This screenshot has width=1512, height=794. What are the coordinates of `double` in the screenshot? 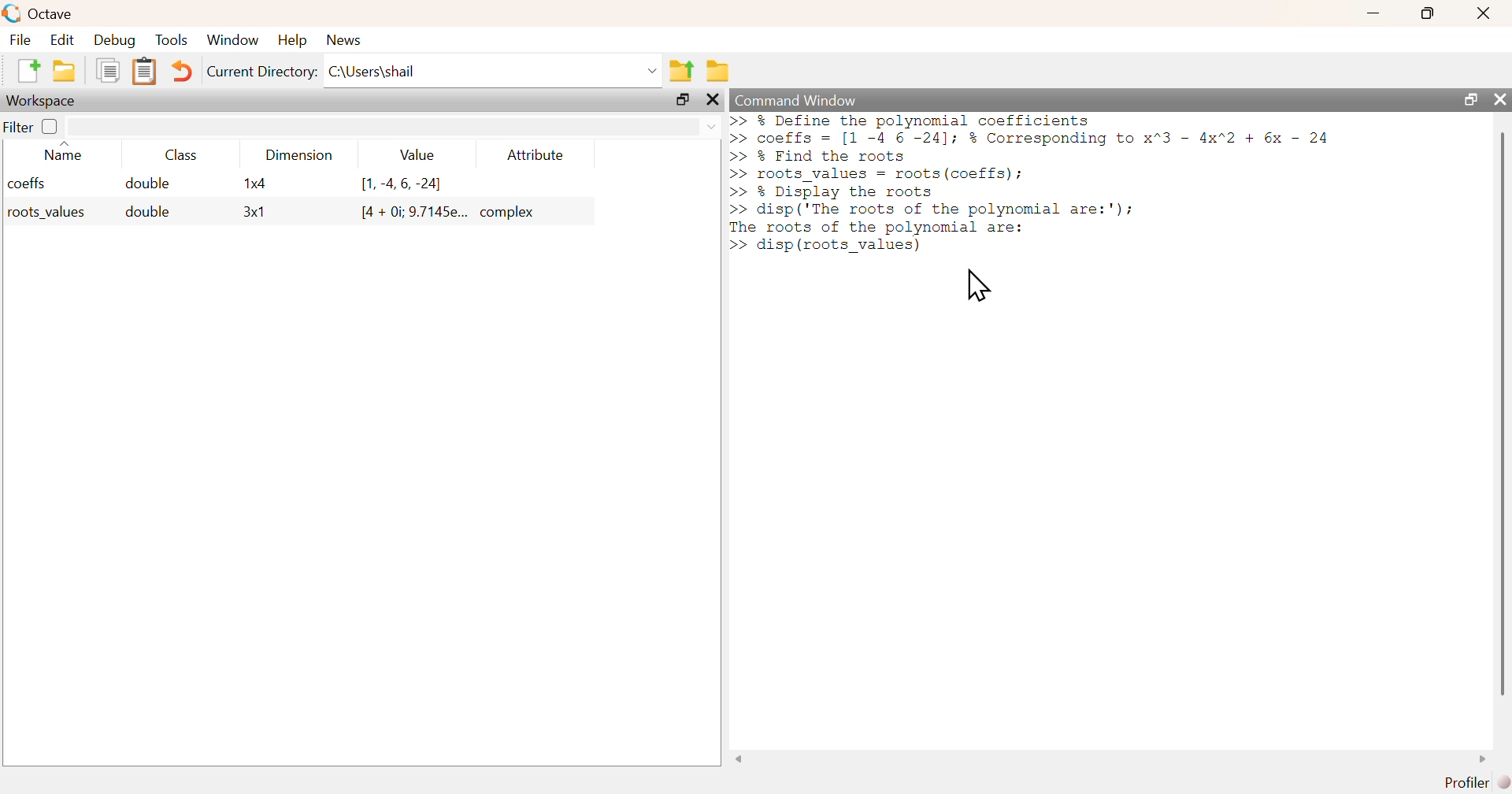 It's located at (145, 212).